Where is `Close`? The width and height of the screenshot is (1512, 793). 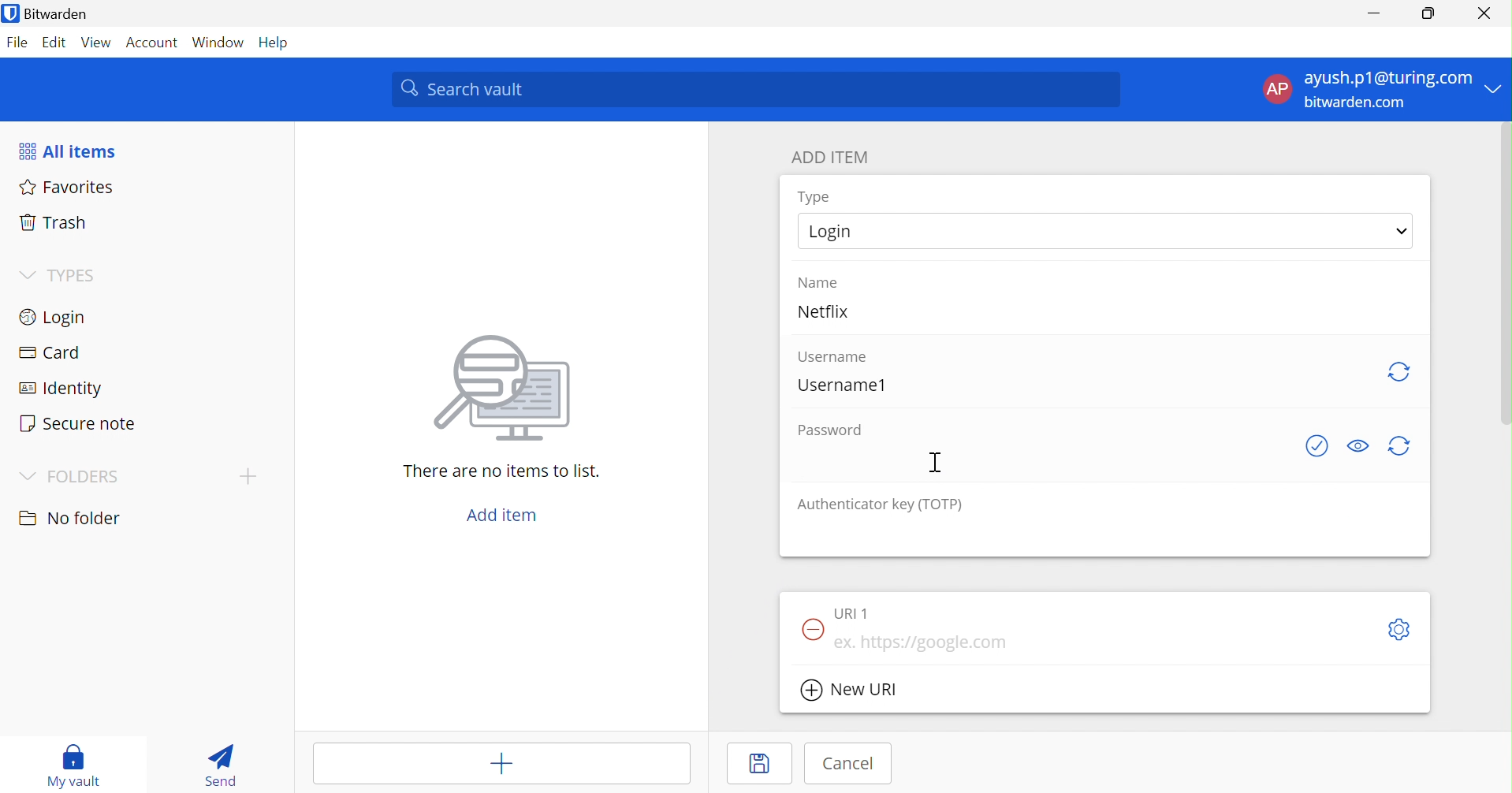 Close is located at coordinates (1484, 13).